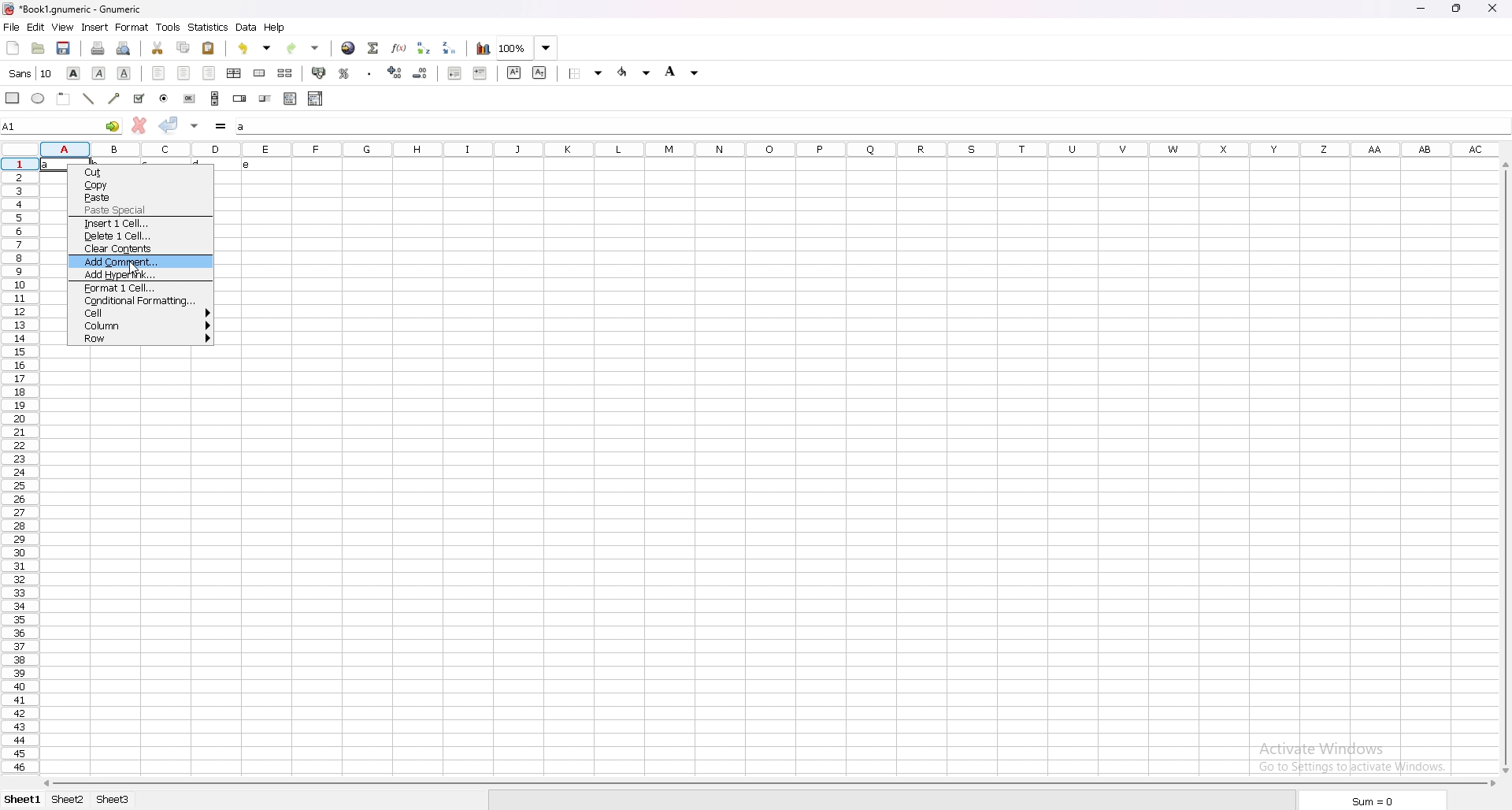 The width and height of the screenshot is (1512, 810). What do you see at coordinates (1421, 9) in the screenshot?
I see `minimize` at bounding box center [1421, 9].